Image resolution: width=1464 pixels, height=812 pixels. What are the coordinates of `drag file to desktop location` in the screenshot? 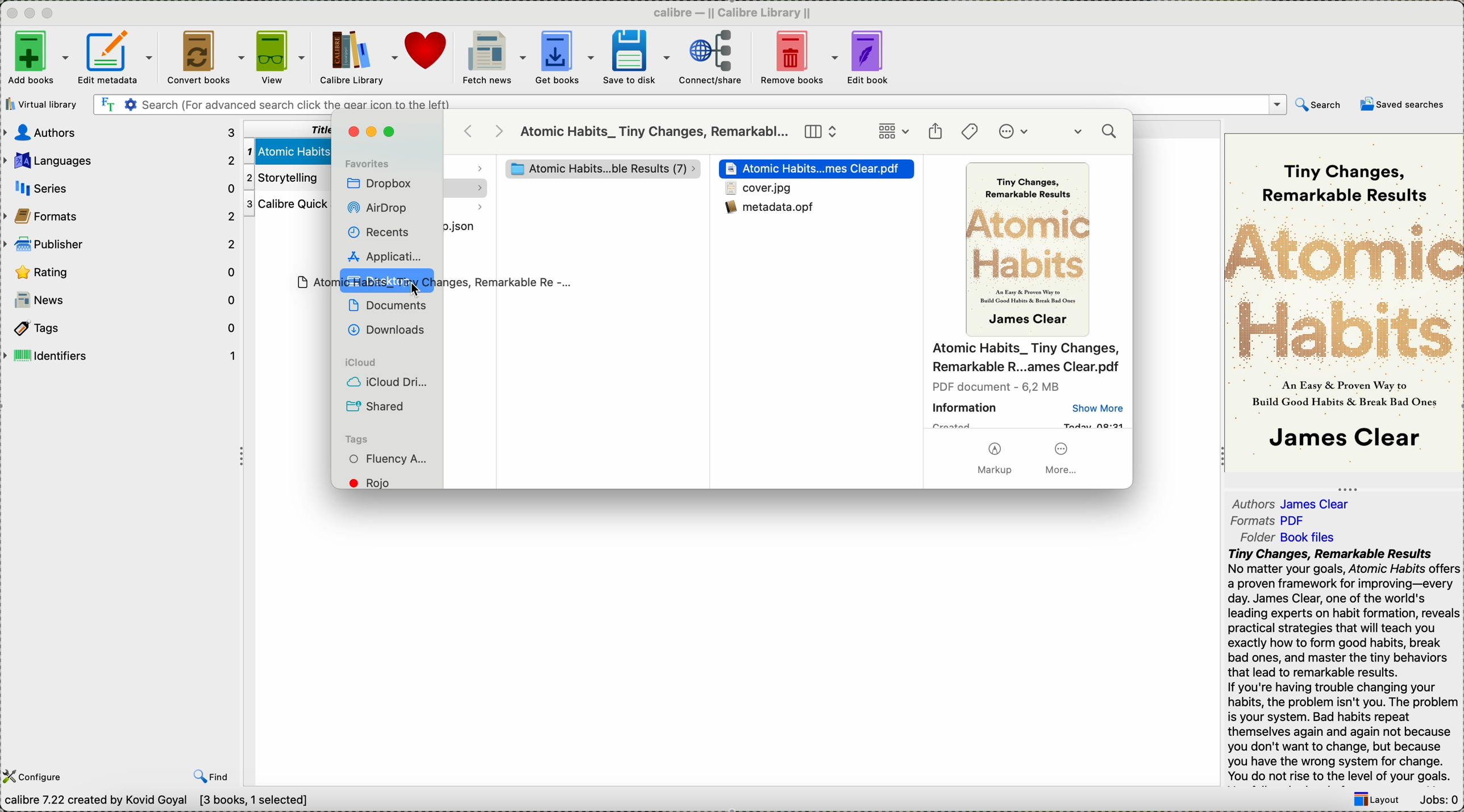 It's located at (426, 282).